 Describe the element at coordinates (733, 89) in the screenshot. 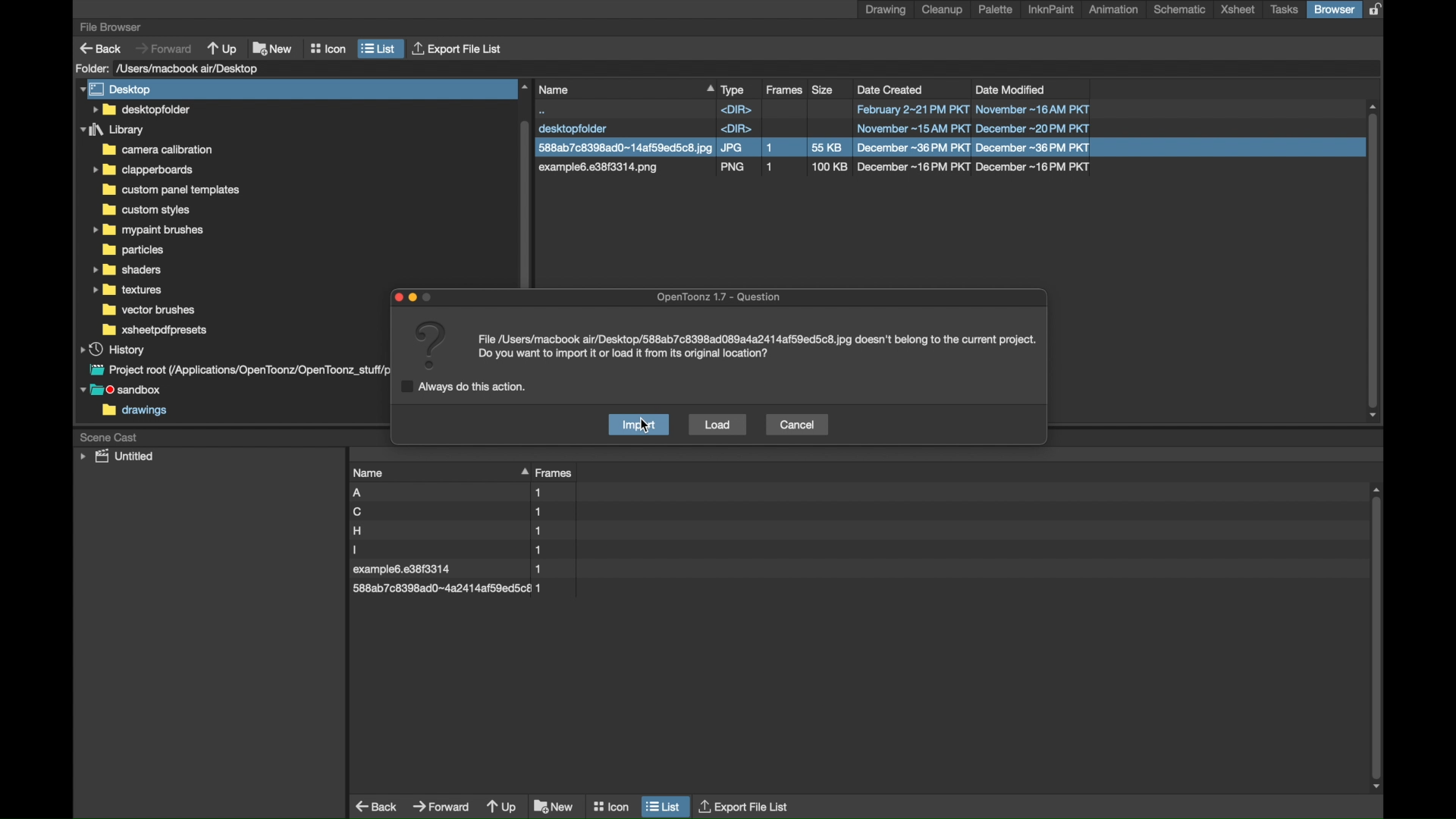

I see `type` at that location.